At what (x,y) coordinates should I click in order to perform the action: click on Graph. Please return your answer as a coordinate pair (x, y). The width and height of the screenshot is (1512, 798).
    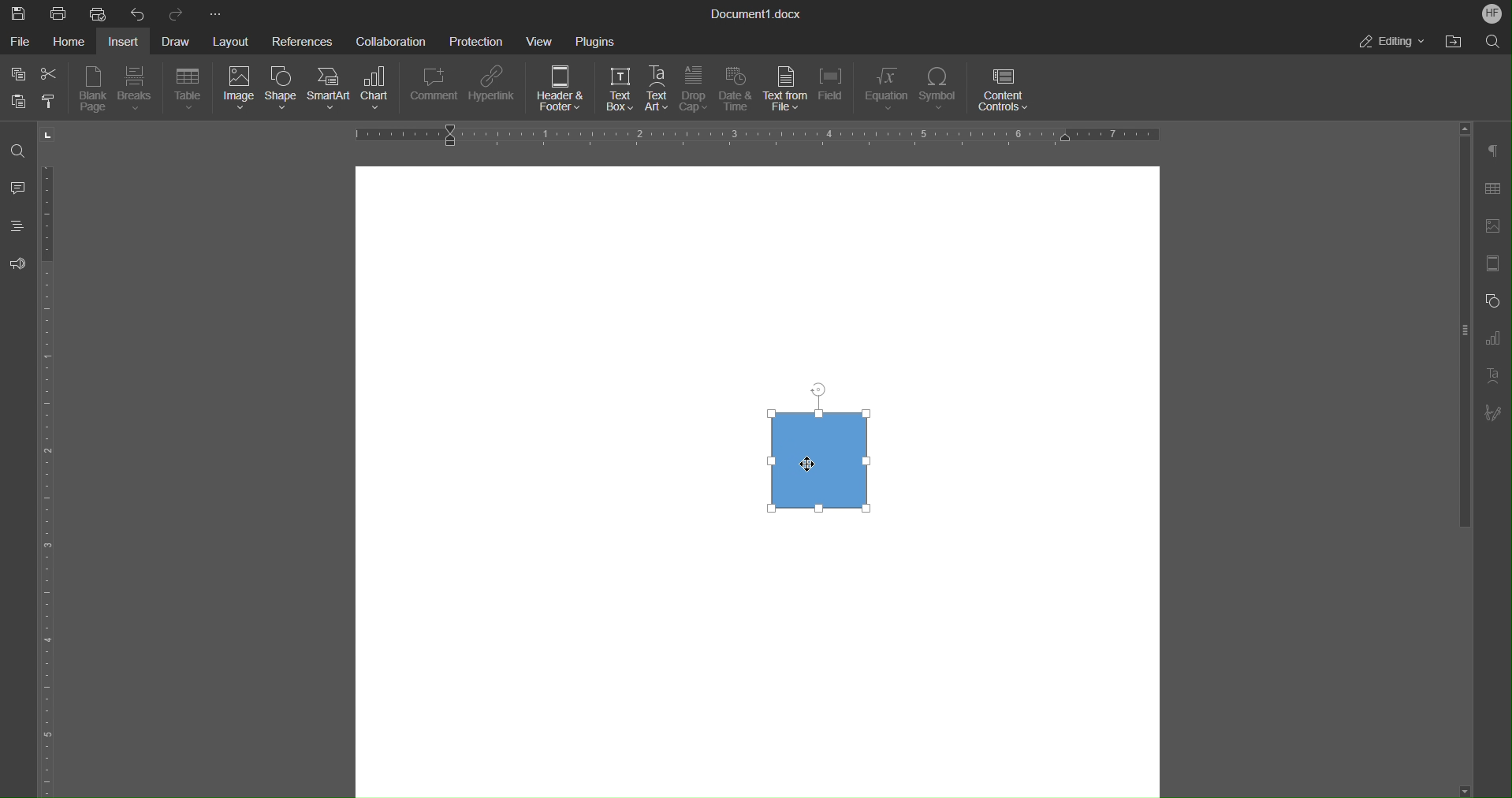
    Looking at the image, I should click on (1499, 338).